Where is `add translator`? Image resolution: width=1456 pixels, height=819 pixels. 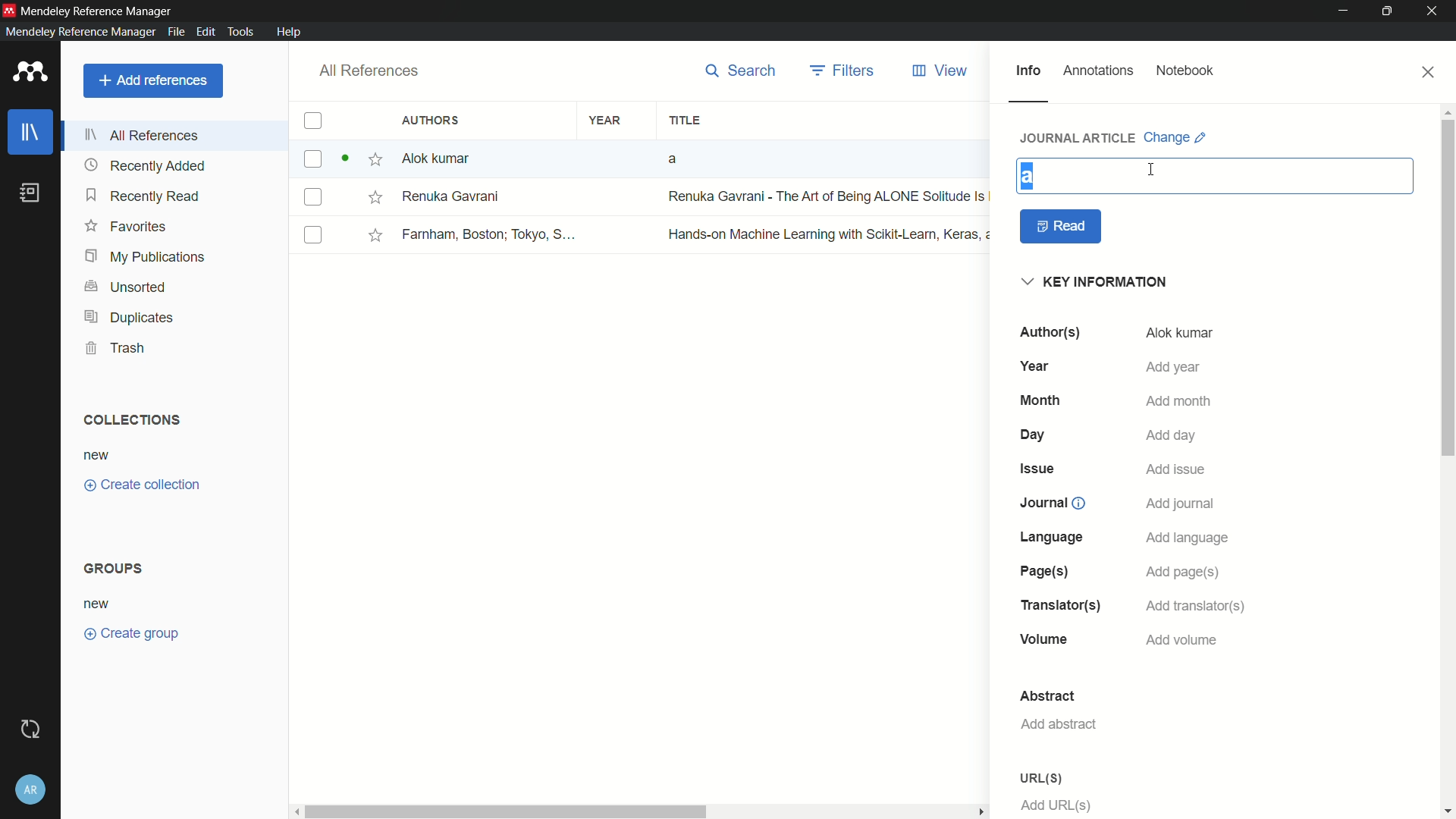 add translator is located at coordinates (1193, 607).